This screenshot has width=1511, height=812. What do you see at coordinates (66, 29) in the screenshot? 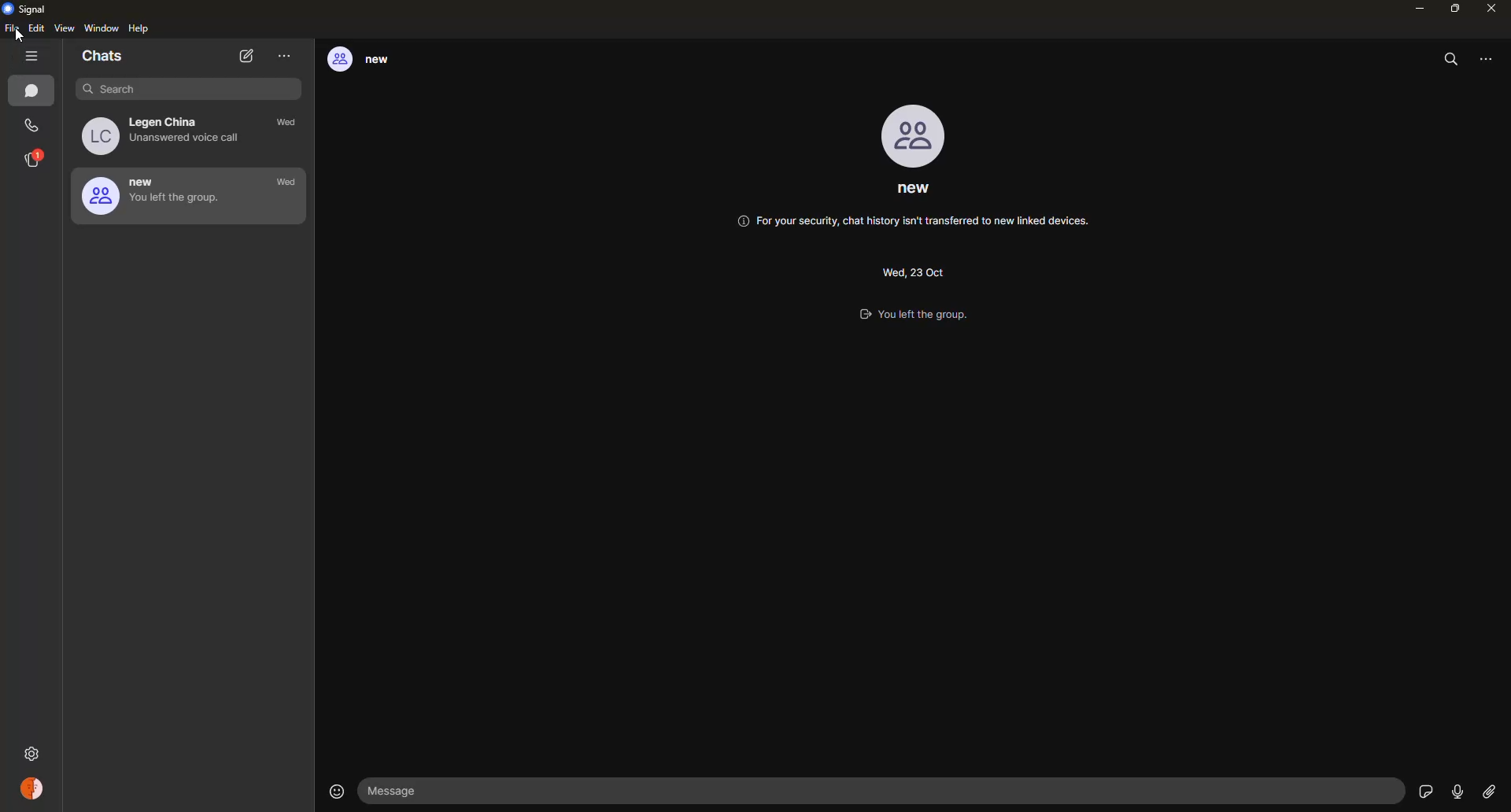
I see `view` at bounding box center [66, 29].